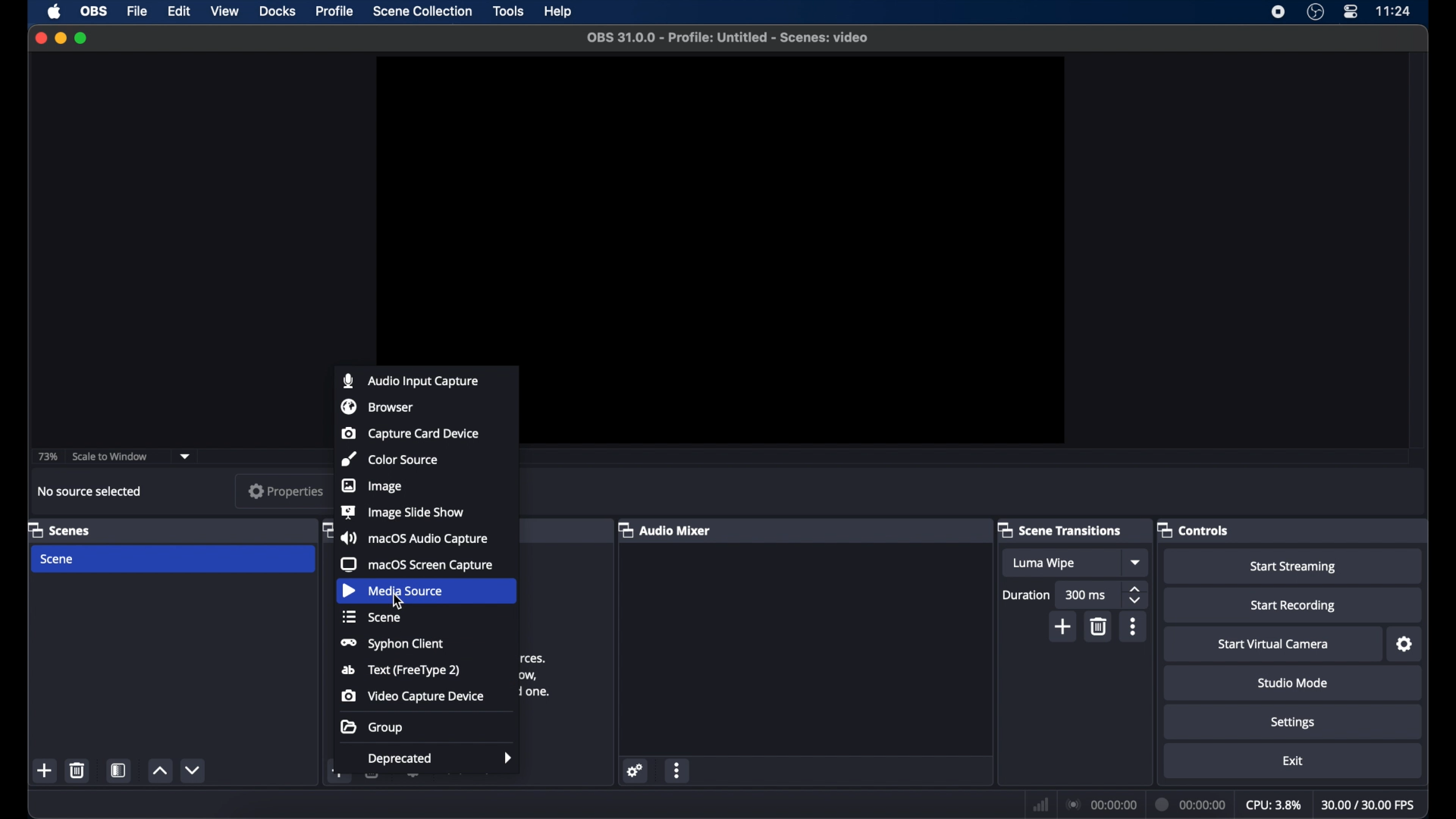 The width and height of the screenshot is (1456, 819). Describe the element at coordinates (664, 529) in the screenshot. I see `audio mixer` at that location.